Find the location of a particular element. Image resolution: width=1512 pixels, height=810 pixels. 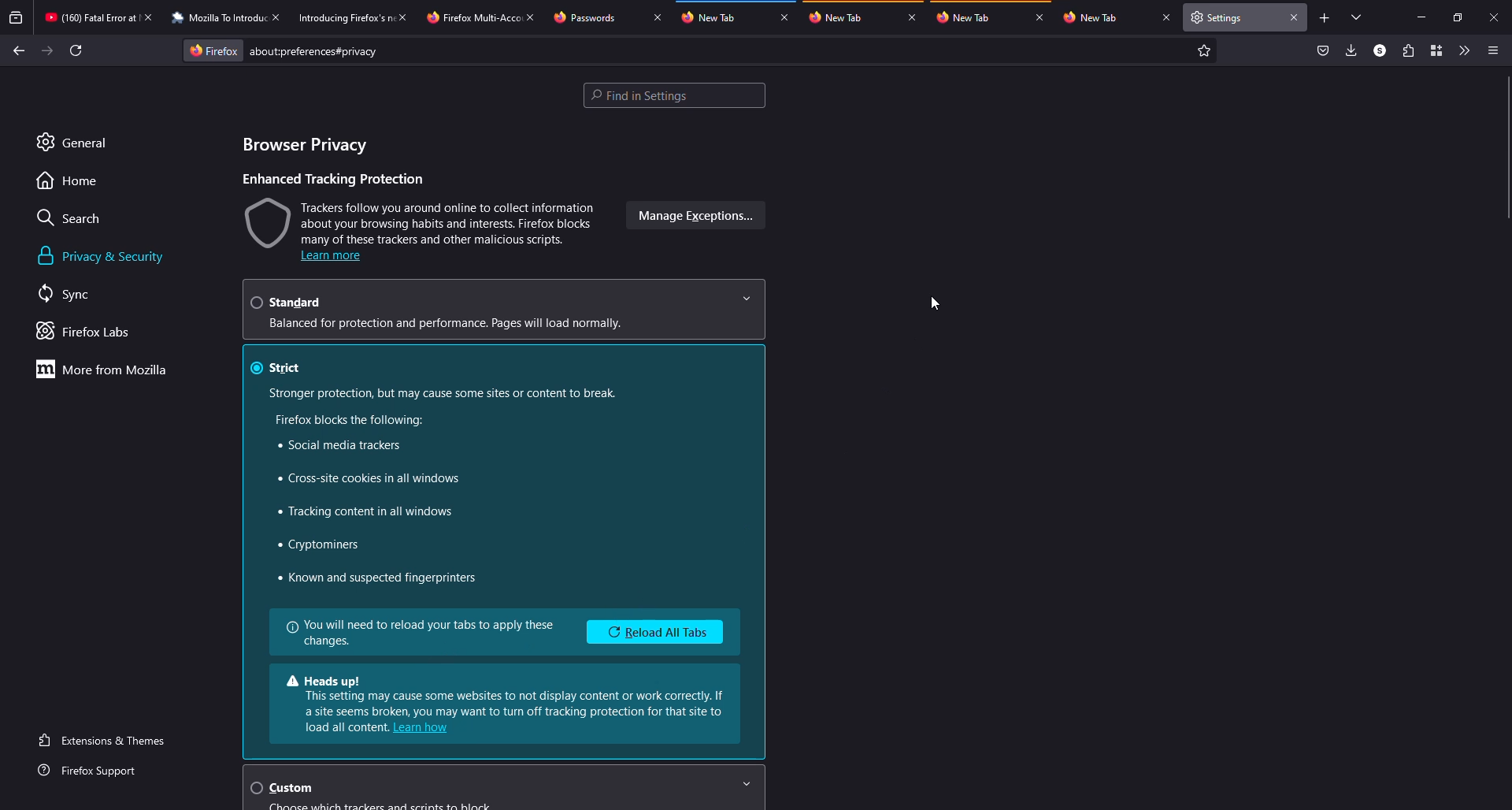

close is located at coordinates (407, 17).